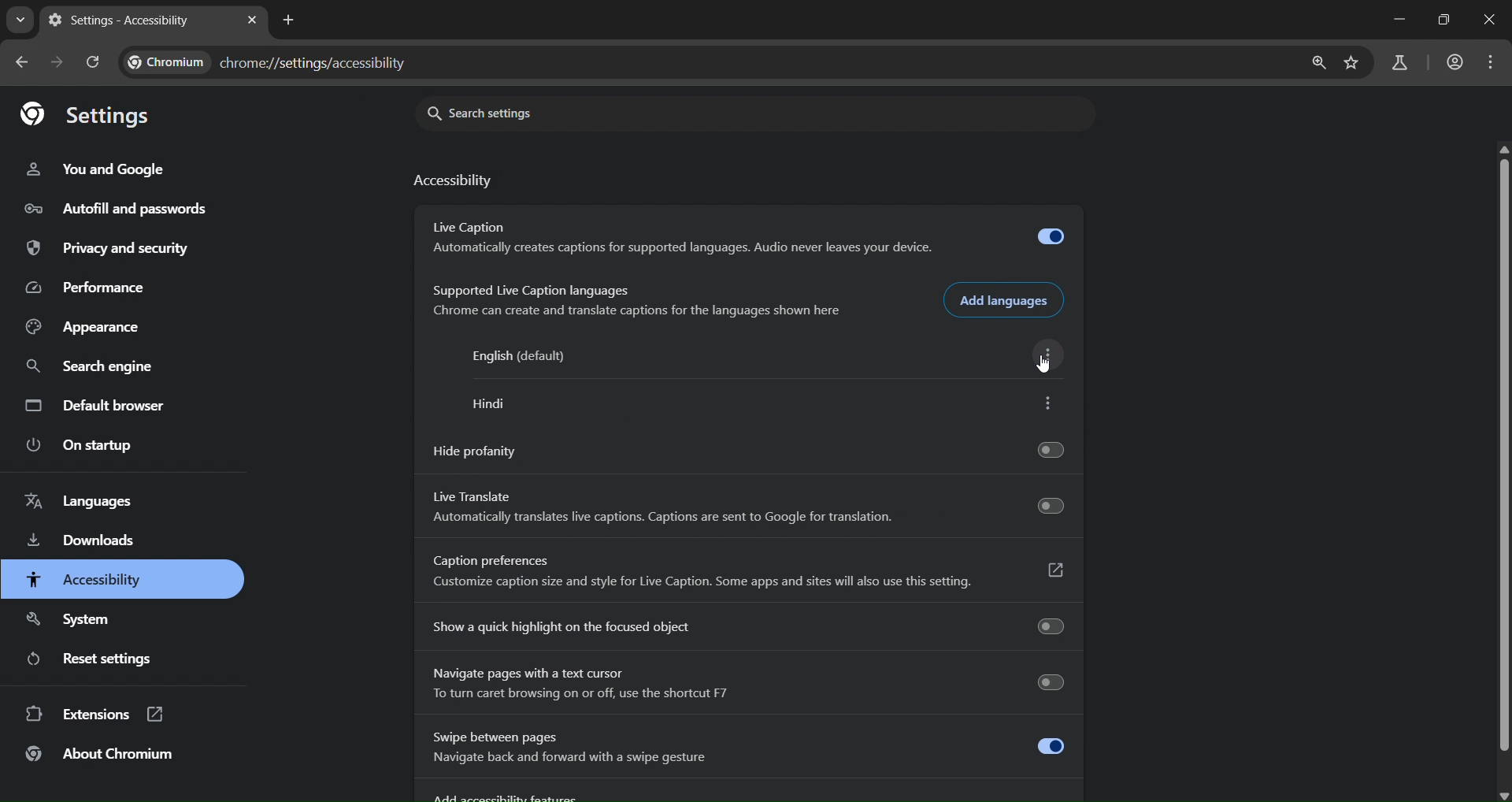 This screenshot has width=1512, height=802. What do you see at coordinates (94, 65) in the screenshot?
I see `reload pages` at bounding box center [94, 65].